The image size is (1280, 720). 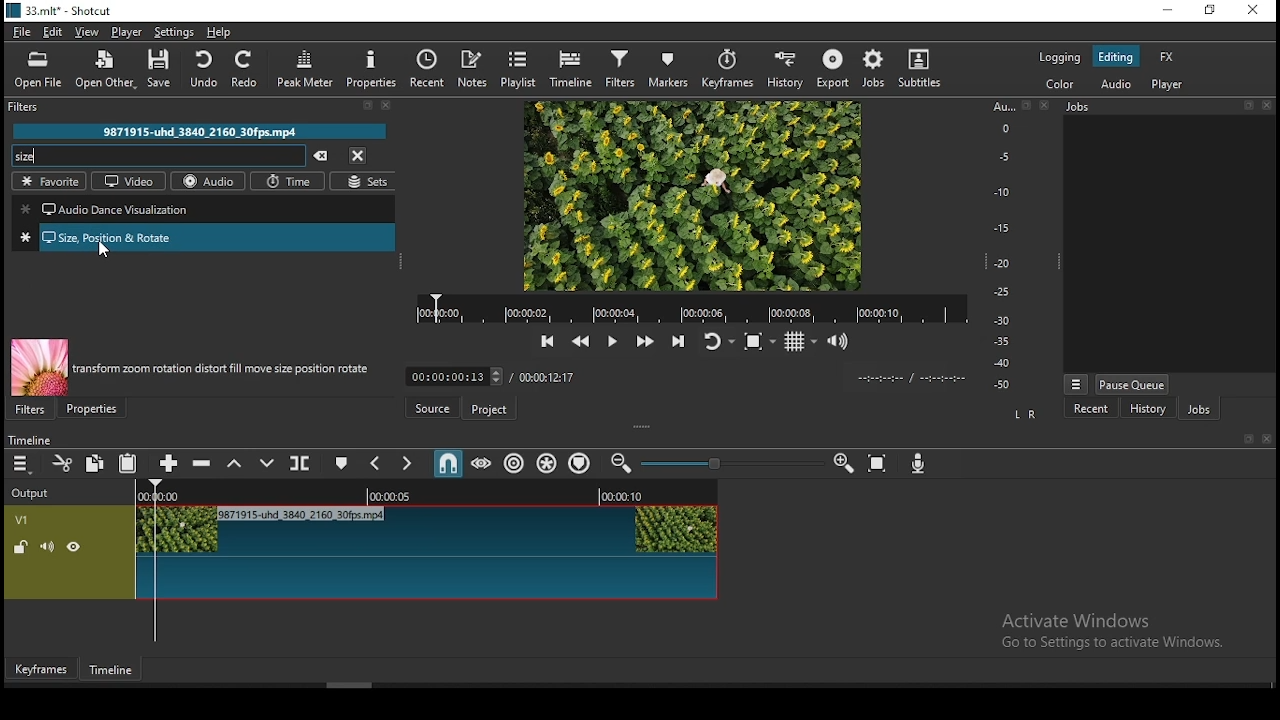 What do you see at coordinates (1003, 227) in the screenshot?
I see `-15` at bounding box center [1003, 227].